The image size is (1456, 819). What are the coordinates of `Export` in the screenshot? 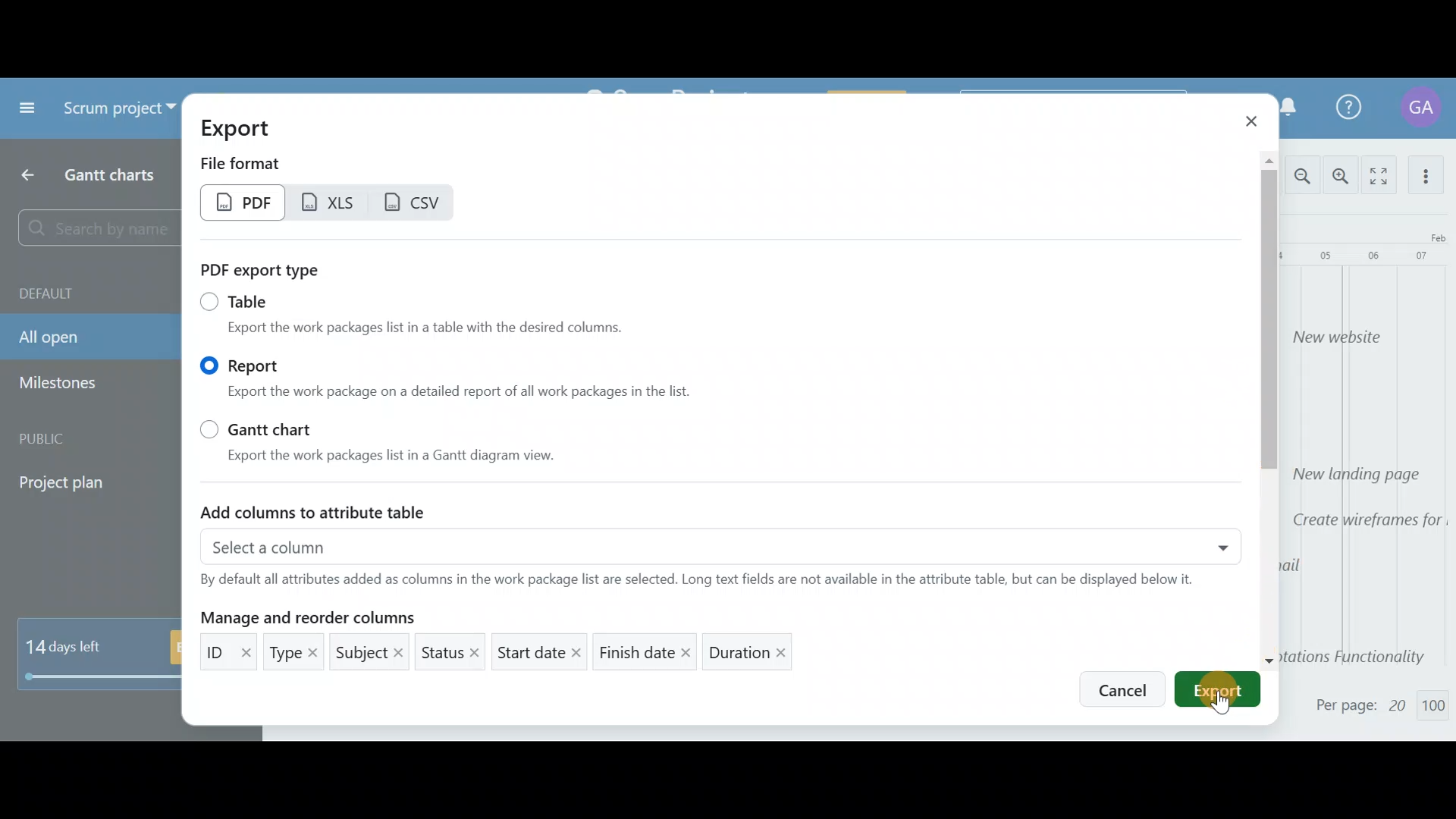 It's located at (1221, 691).